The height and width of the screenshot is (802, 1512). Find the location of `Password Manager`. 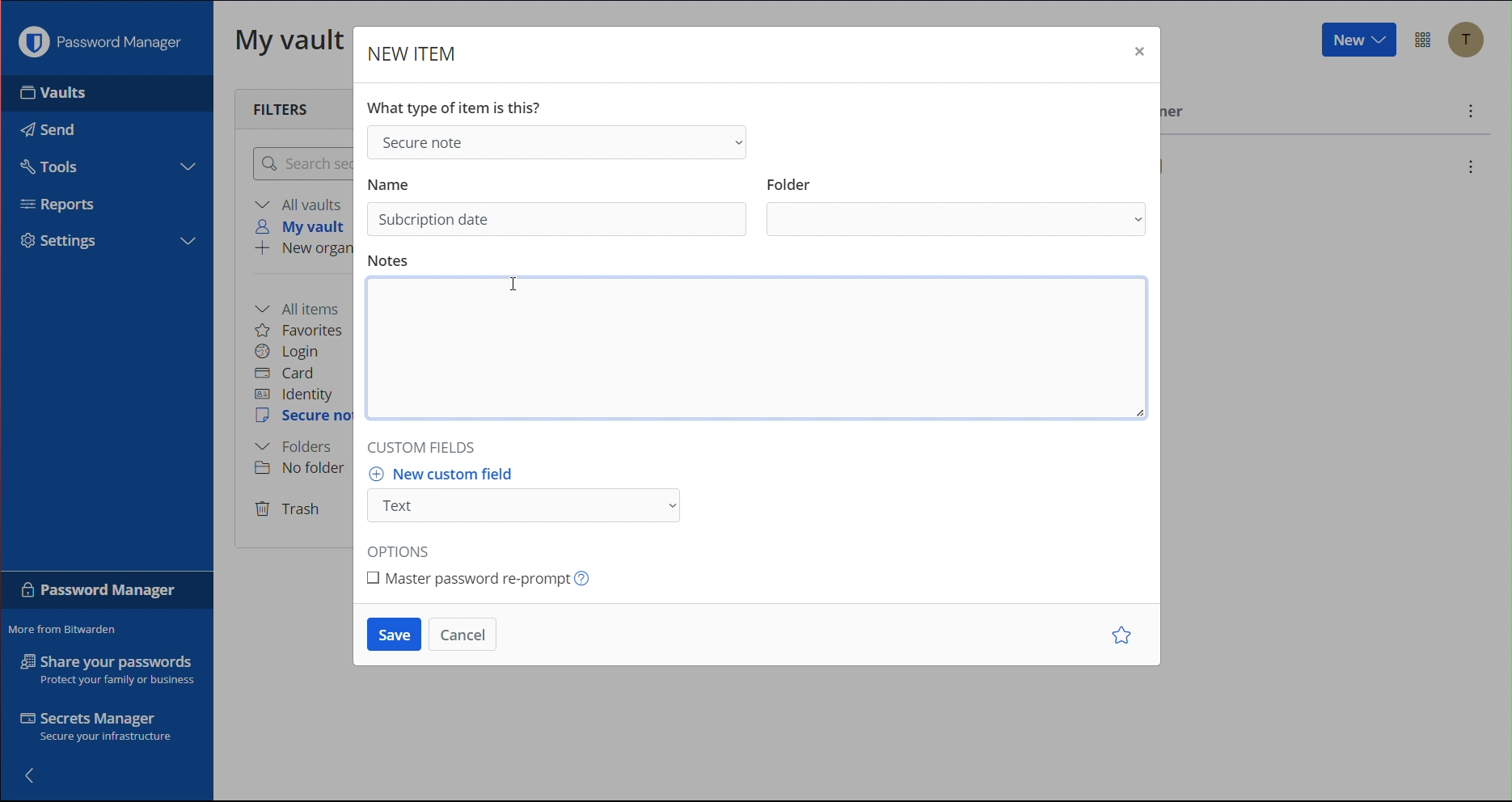

Password Manager is located at coordinates (104, 42).